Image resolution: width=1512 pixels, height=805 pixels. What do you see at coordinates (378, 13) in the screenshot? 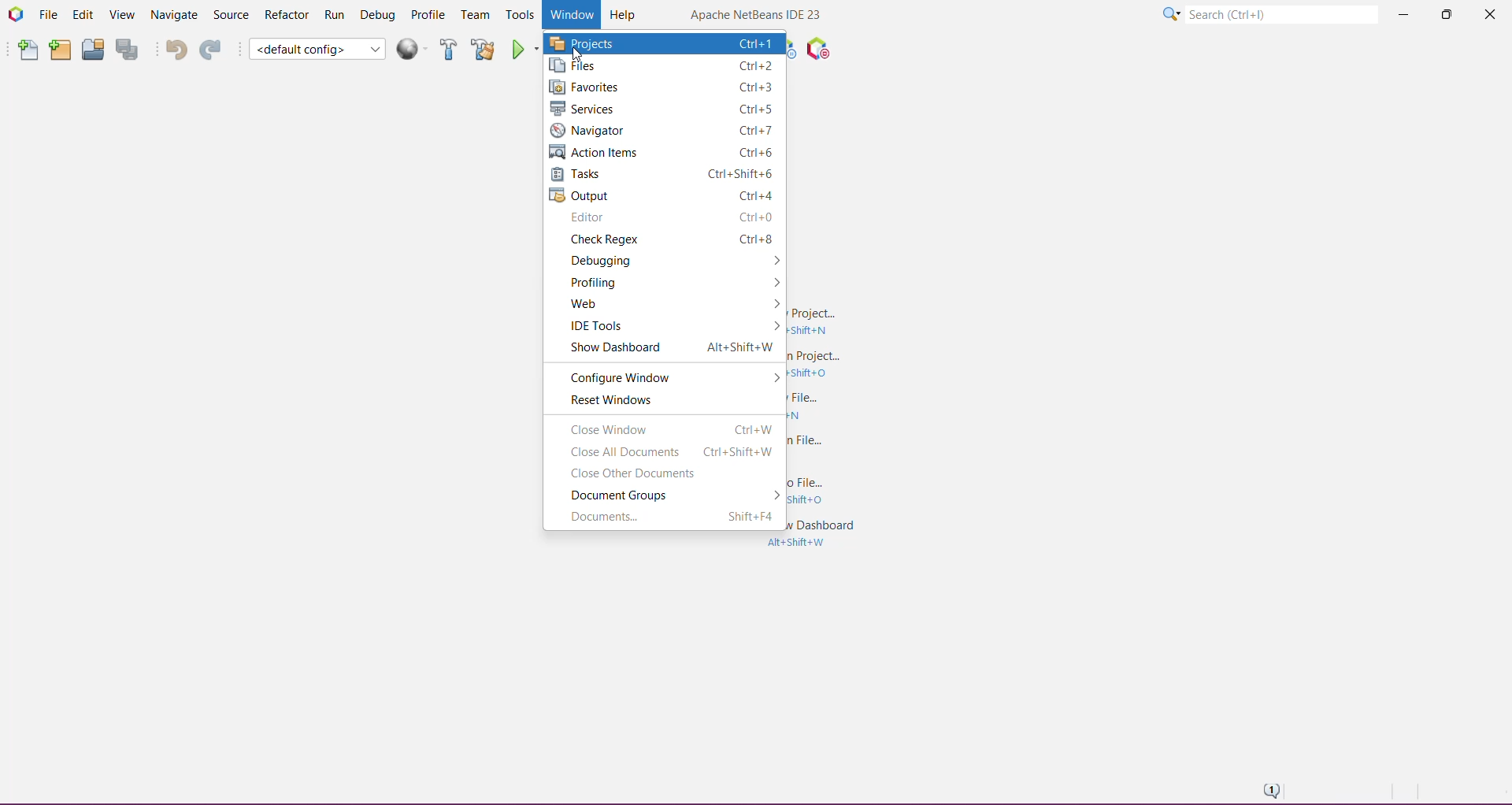
I see `Debug` at bounding box center [378, 13].